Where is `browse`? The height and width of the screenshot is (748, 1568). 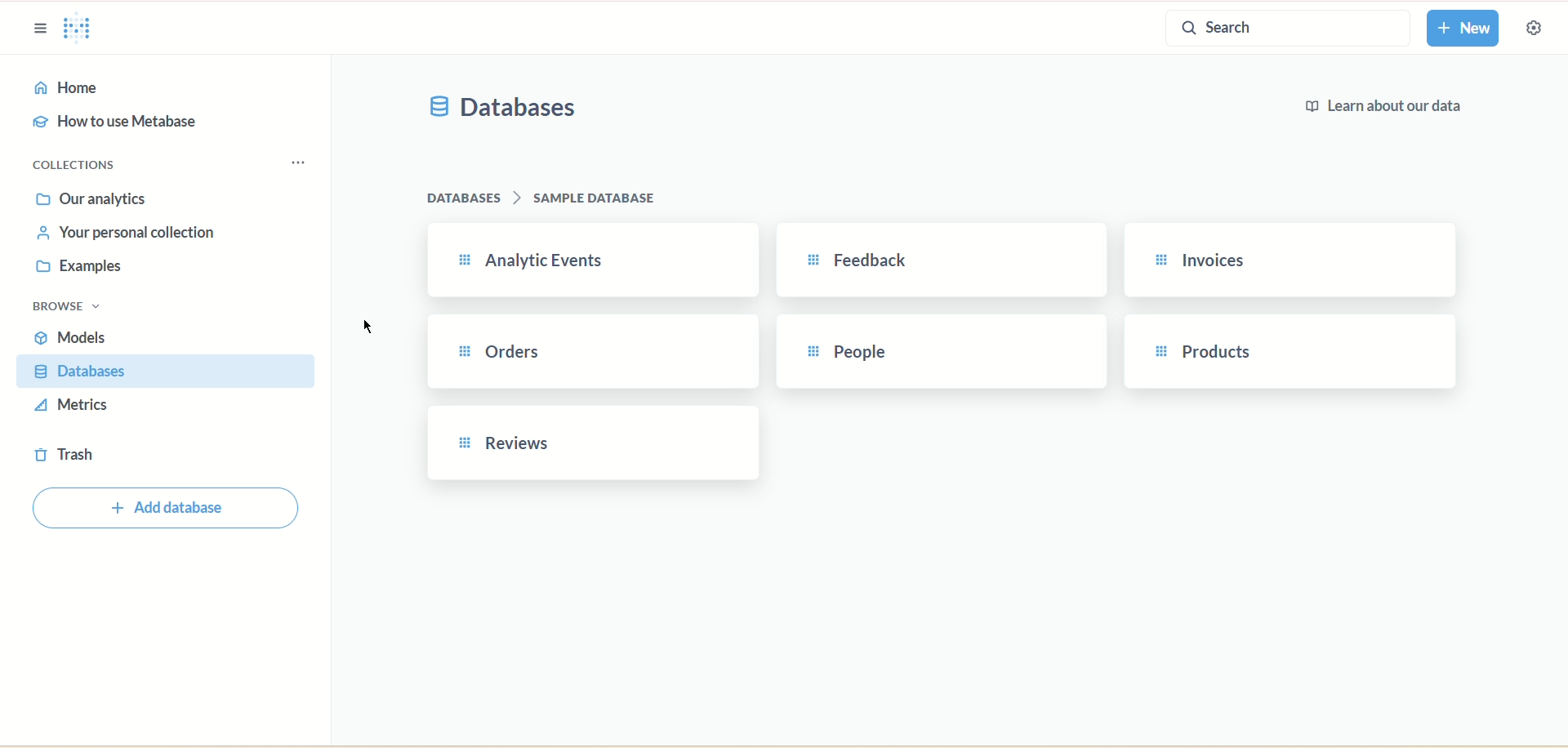 browse is located at coordinates (65, 307).